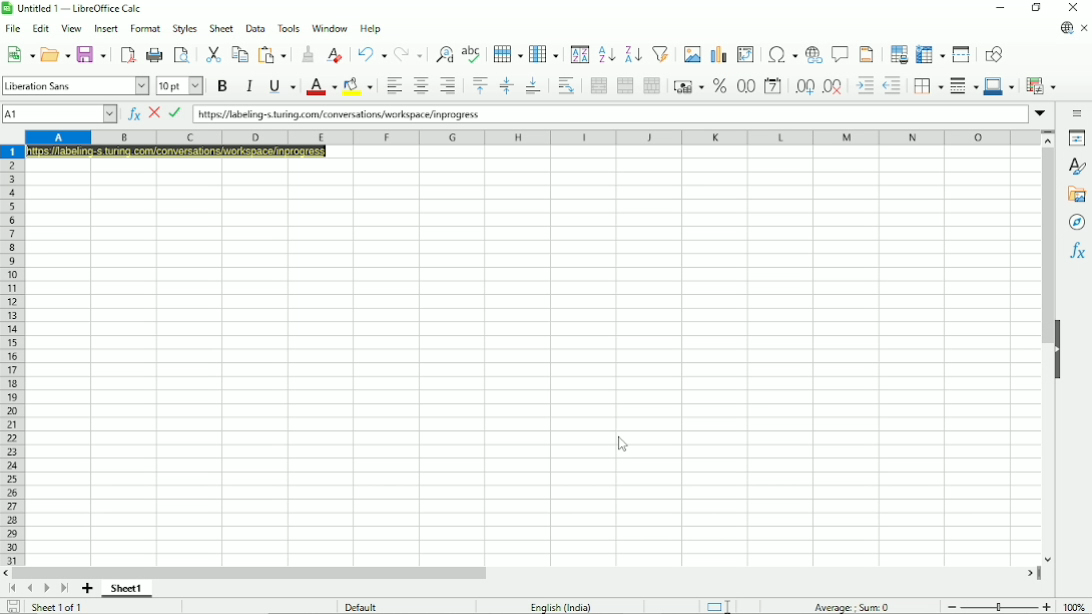  What do you see at coordinates (964, 86) in the screenshot?
I see `Border style` at bounding box center [964, 86].